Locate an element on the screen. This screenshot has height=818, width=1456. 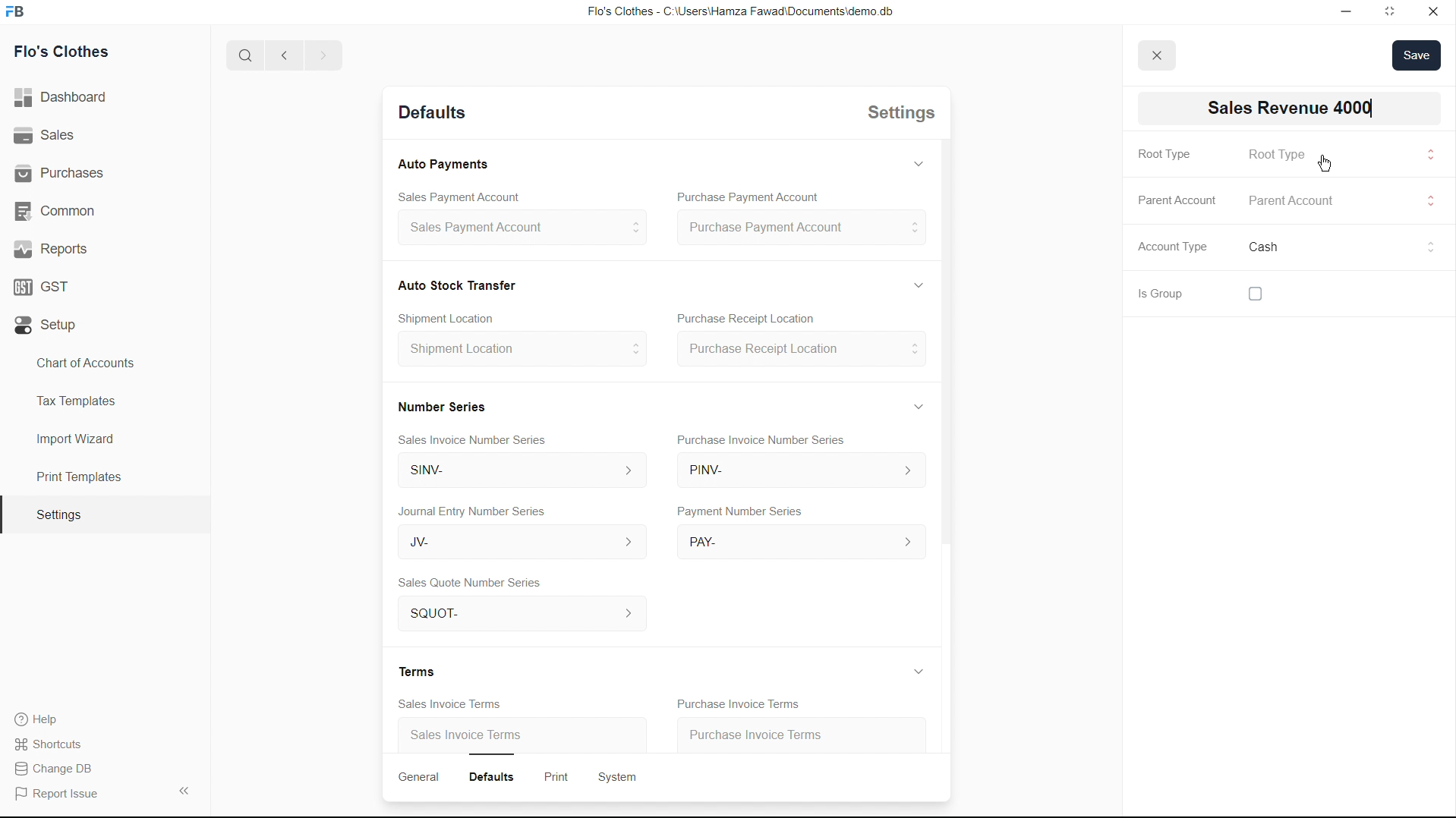
Search is located at coordinates (240, 55).